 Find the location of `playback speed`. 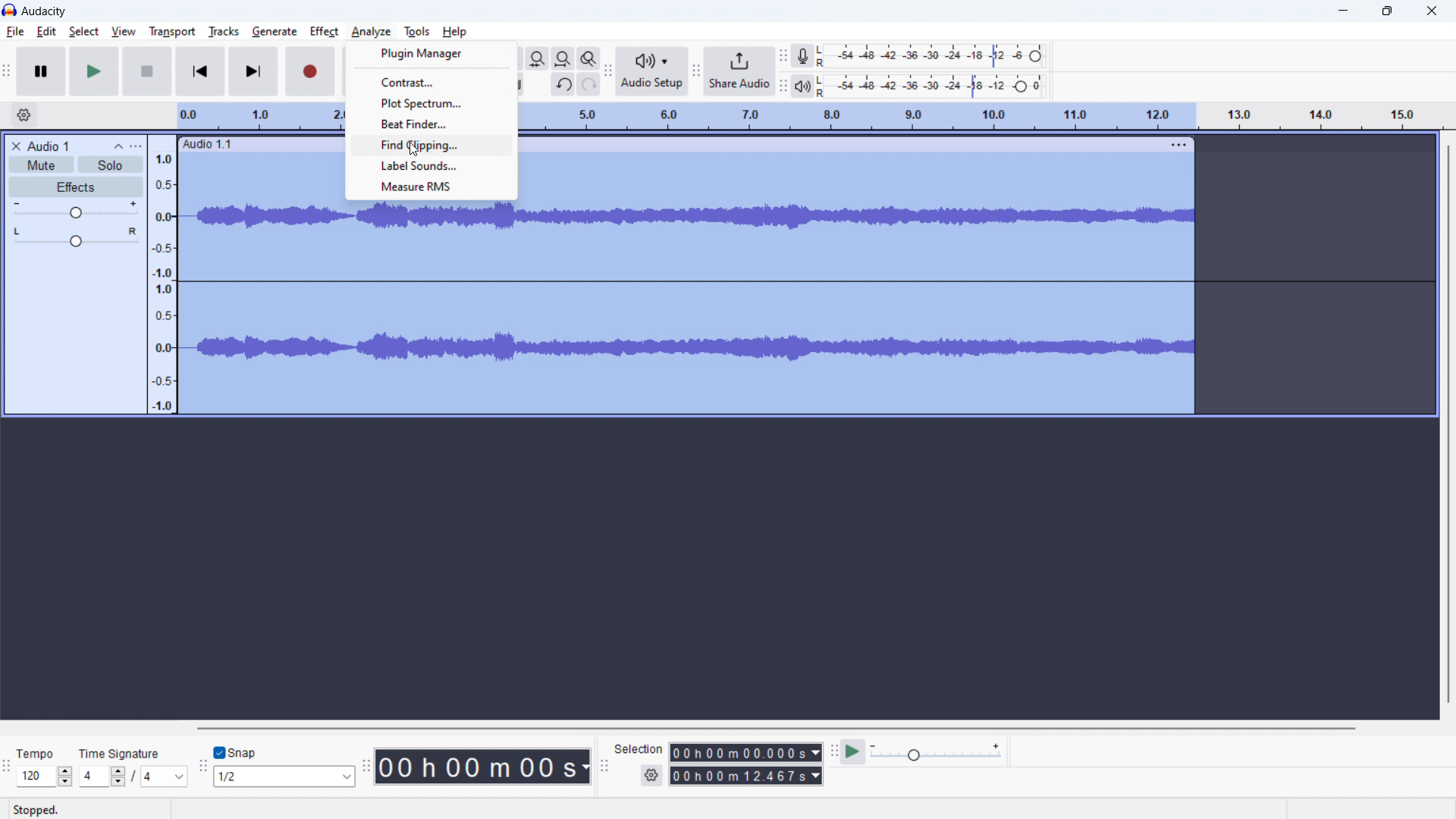

playback speed is located at coordinates (937, 753).